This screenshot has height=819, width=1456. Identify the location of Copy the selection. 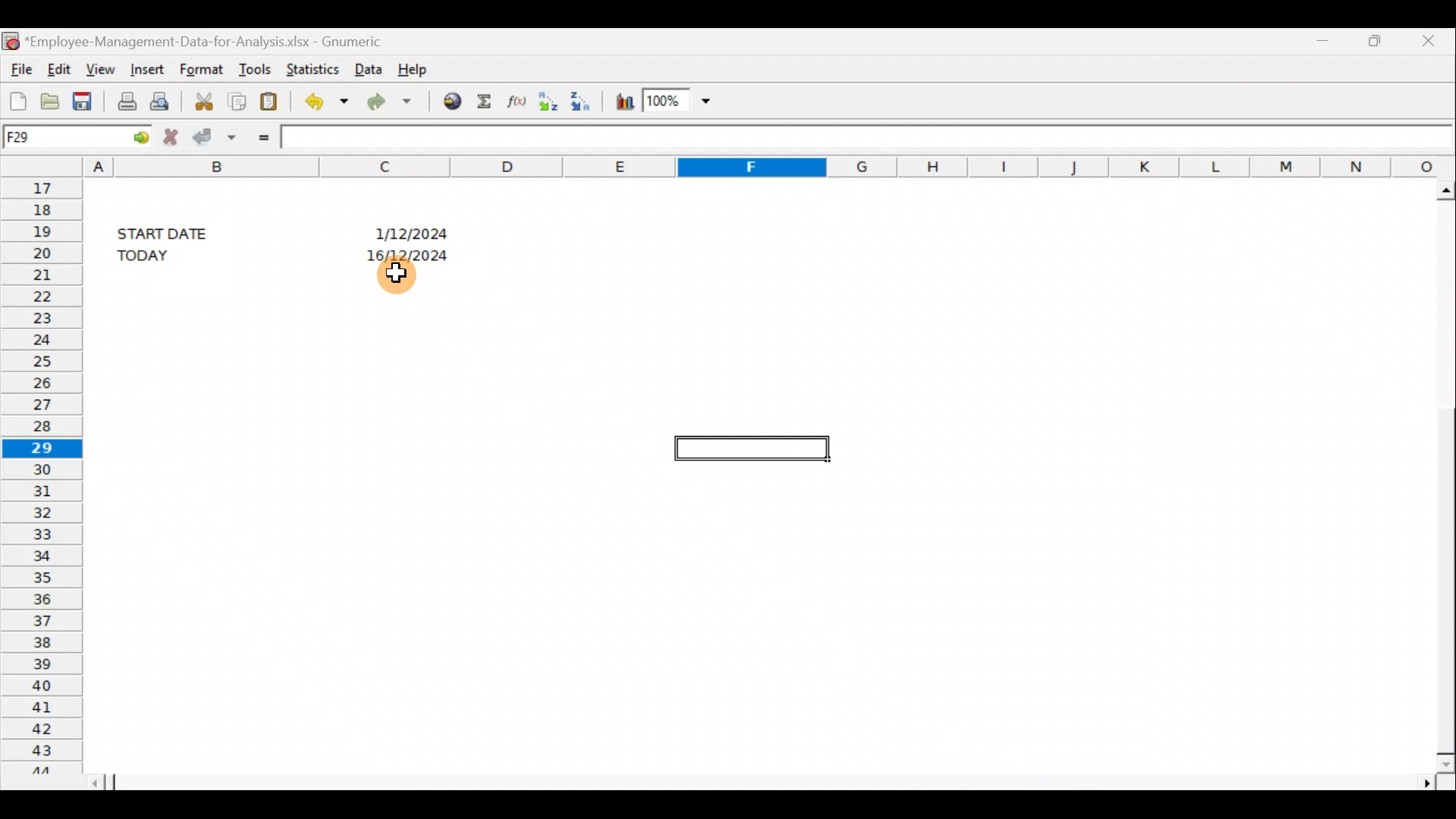
(239, 99).